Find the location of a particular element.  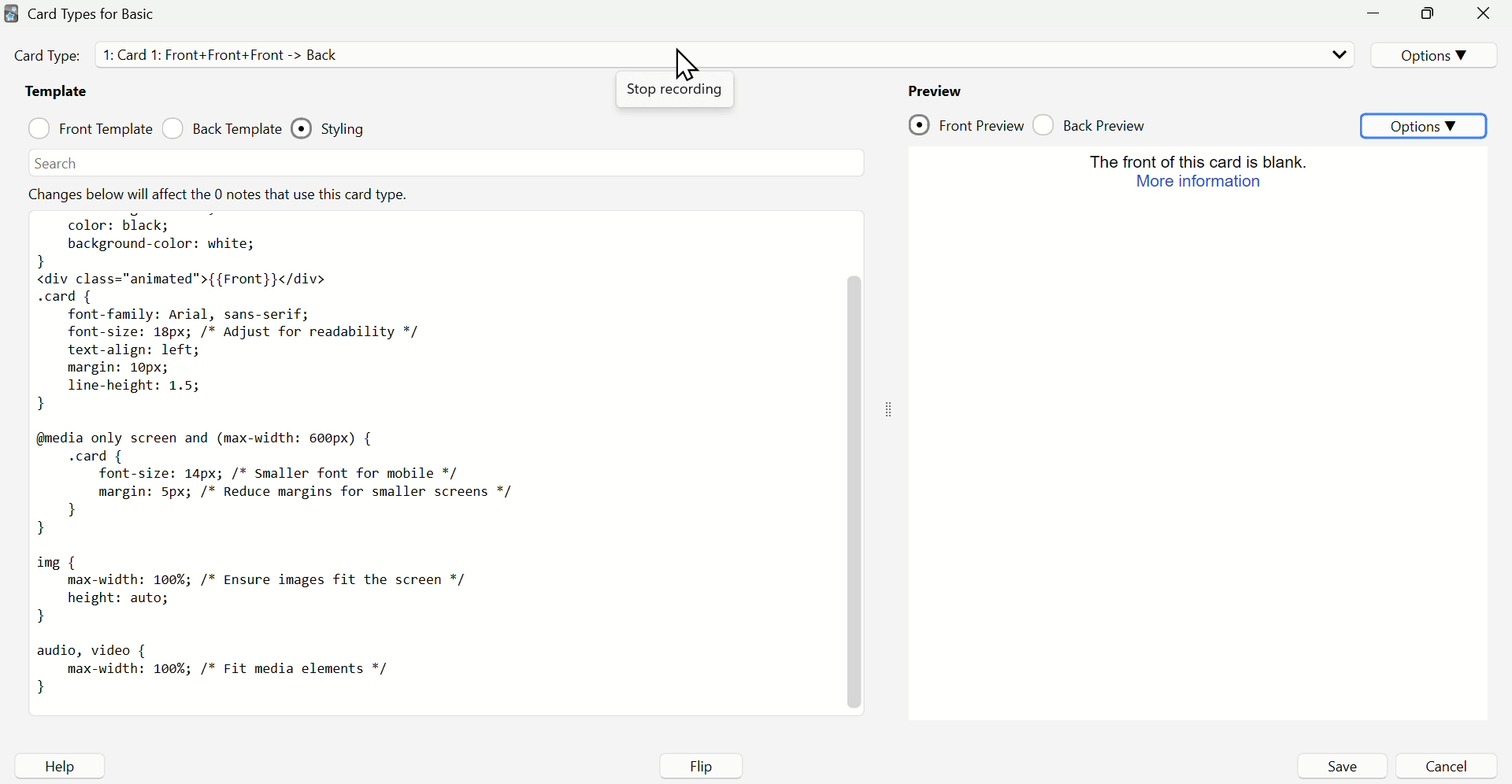

minimize is located at coordinates (1428, 15).